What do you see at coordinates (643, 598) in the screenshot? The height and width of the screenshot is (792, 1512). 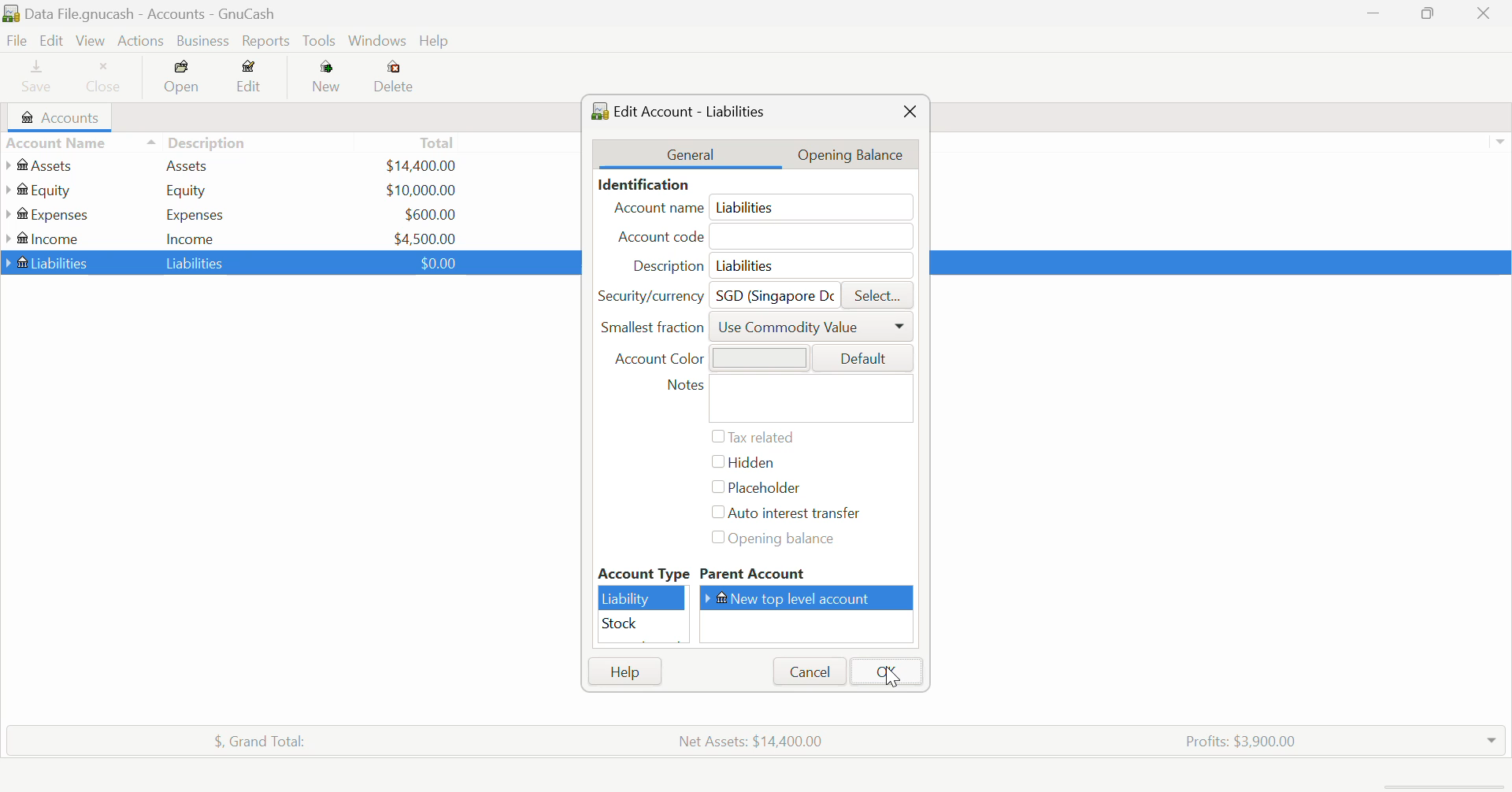 I see `Liability` at bounding box center [643, 598].